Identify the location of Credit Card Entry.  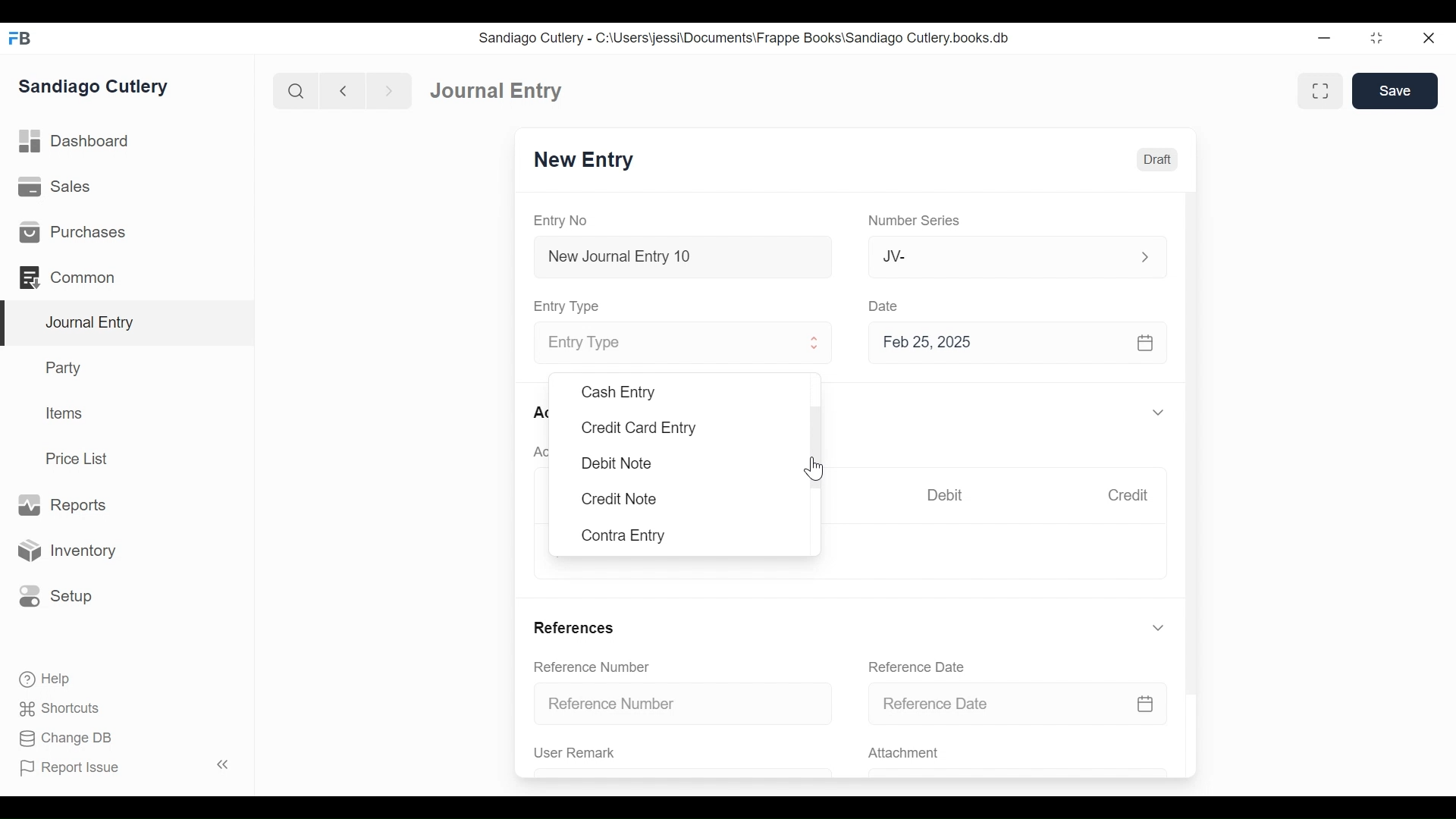
(638, 428).